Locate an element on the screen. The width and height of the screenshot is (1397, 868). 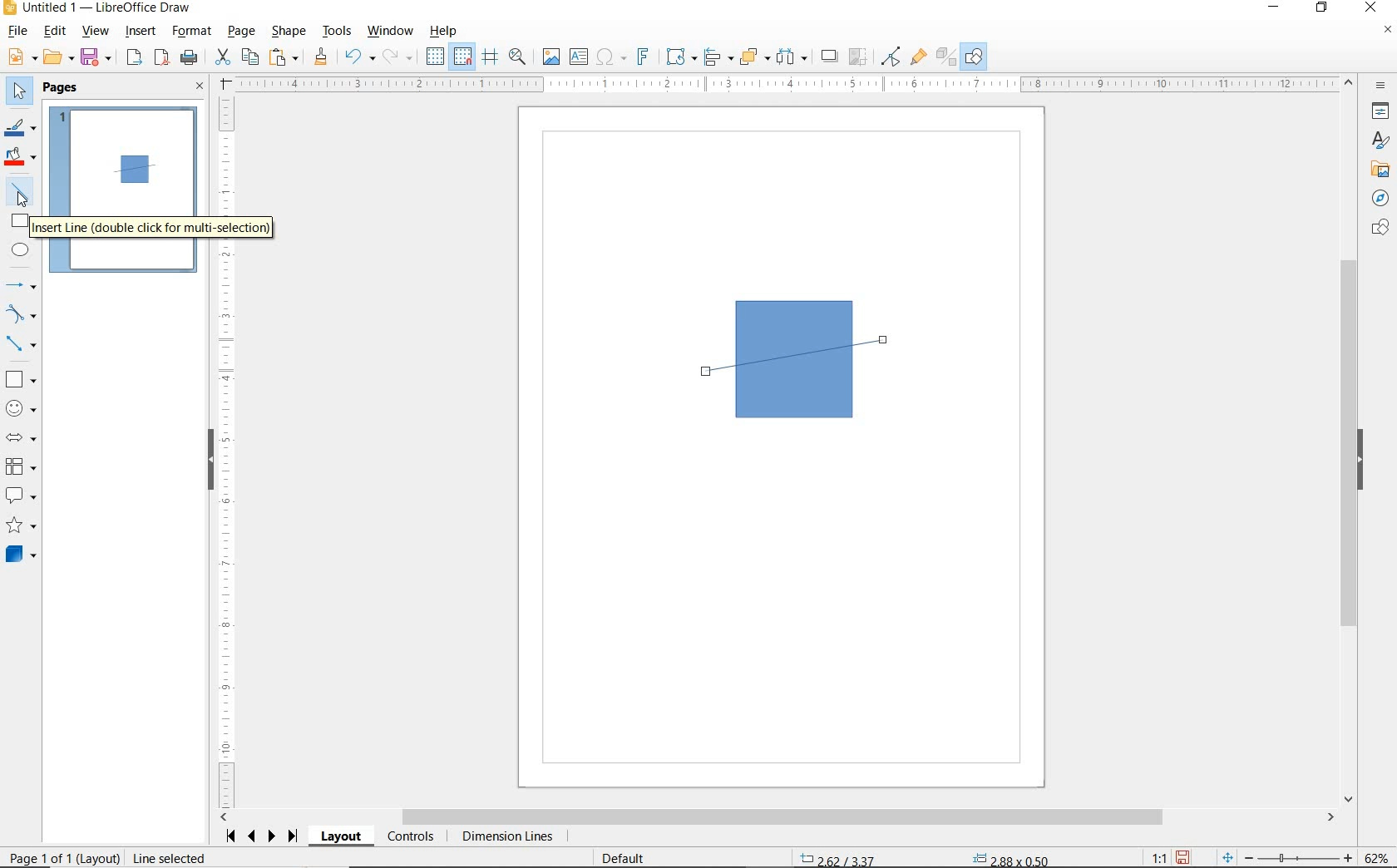
INSERT LINE is located at coordinates (157, 229).